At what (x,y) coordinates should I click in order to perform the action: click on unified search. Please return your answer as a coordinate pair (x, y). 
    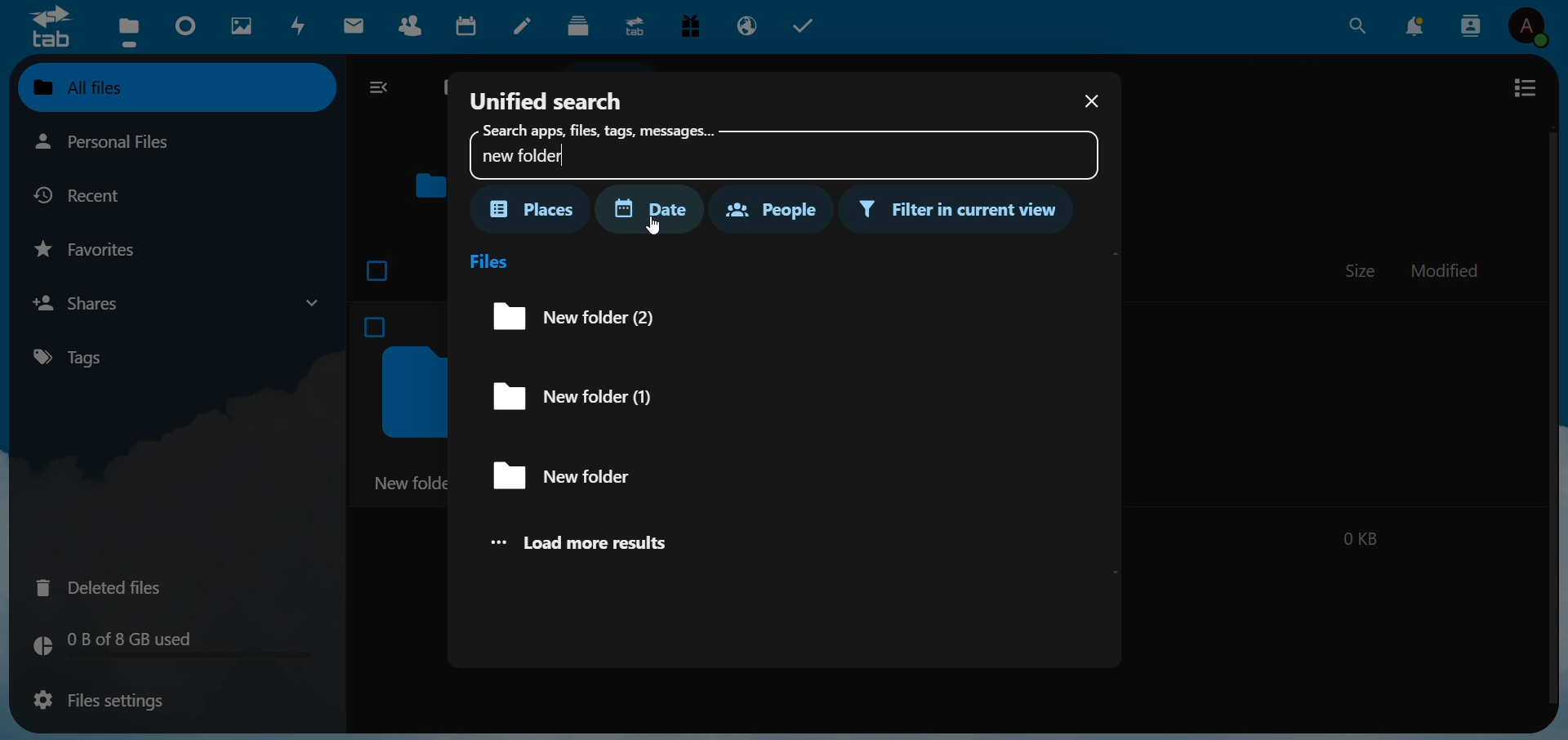
    Looking at the image, I should click on (548, 98).